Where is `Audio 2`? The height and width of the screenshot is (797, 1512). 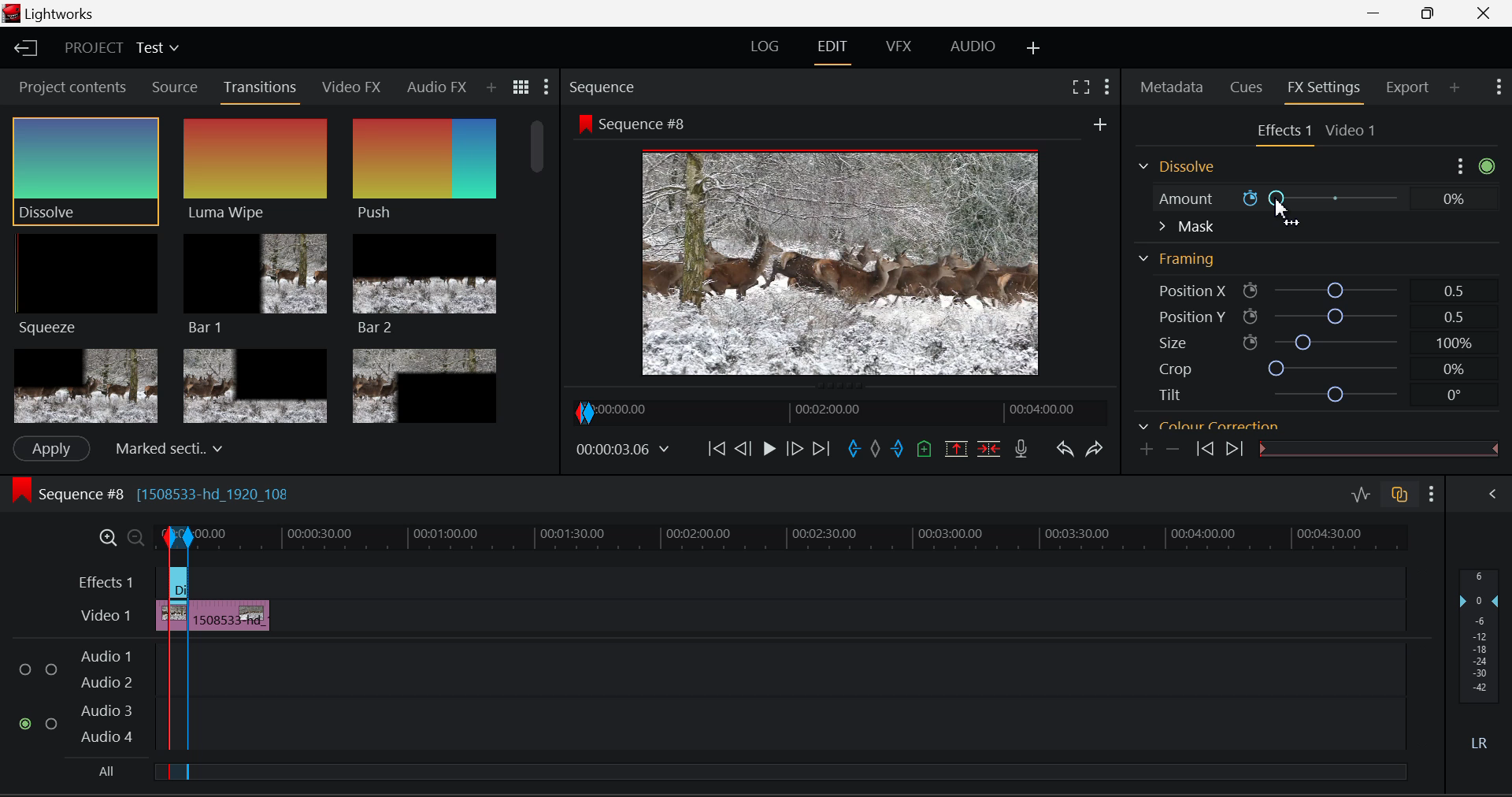
Audio 2 is located at coordinates (106, 679).